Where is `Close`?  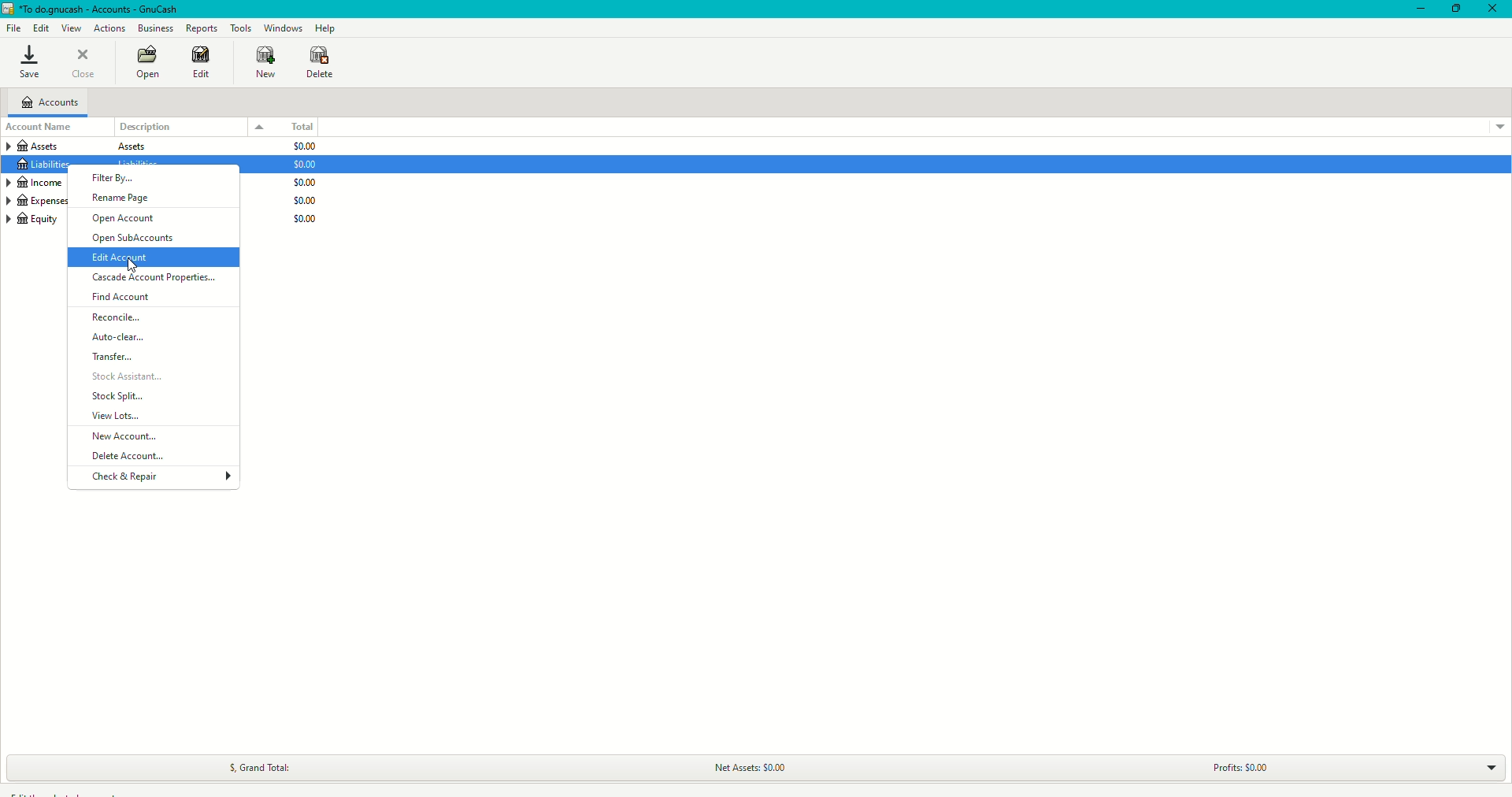
Close is located at coordinates (1493, 9).